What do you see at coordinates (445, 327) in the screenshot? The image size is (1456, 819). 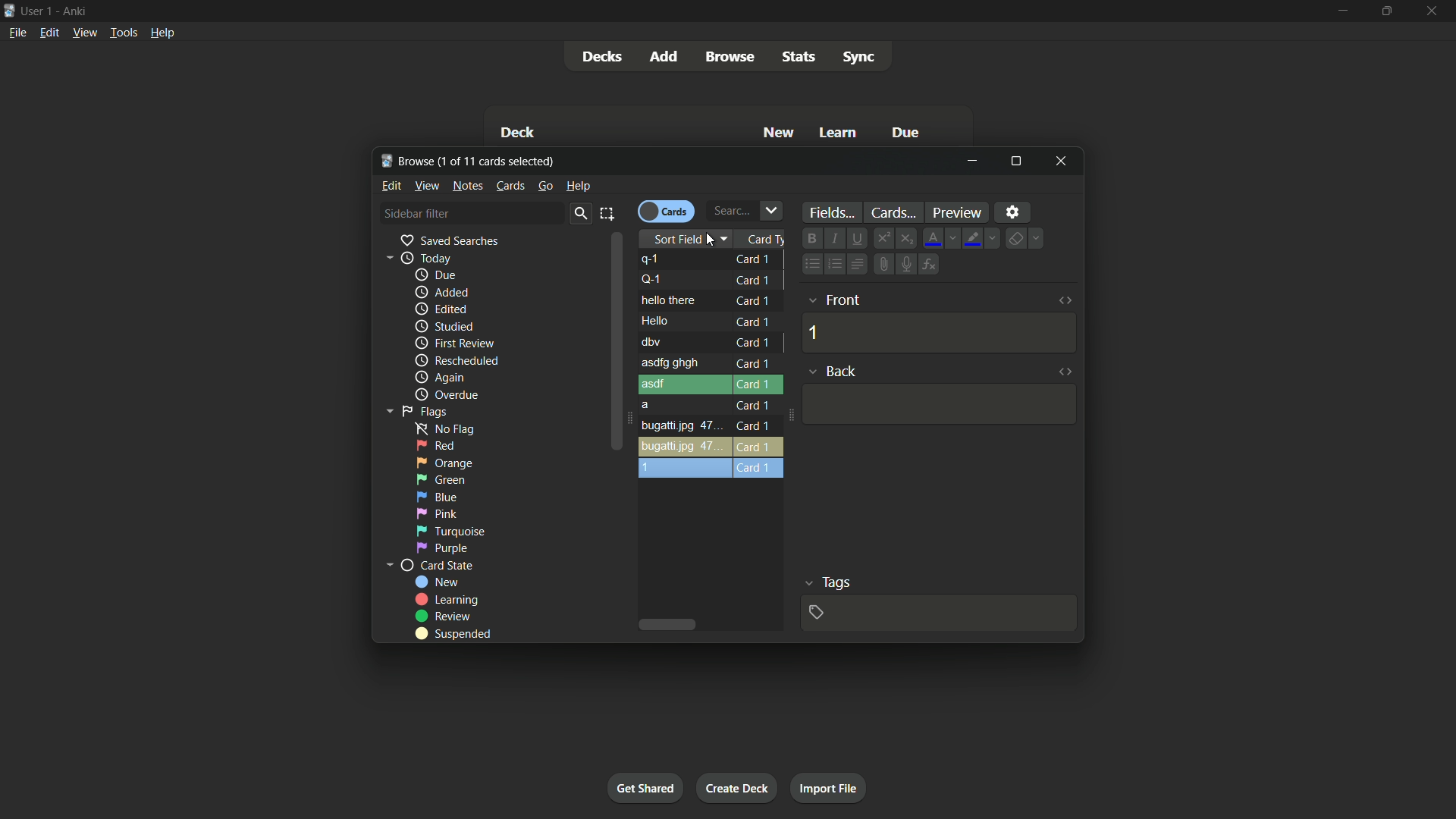 I see `studied` at bounding box center [445, 327].